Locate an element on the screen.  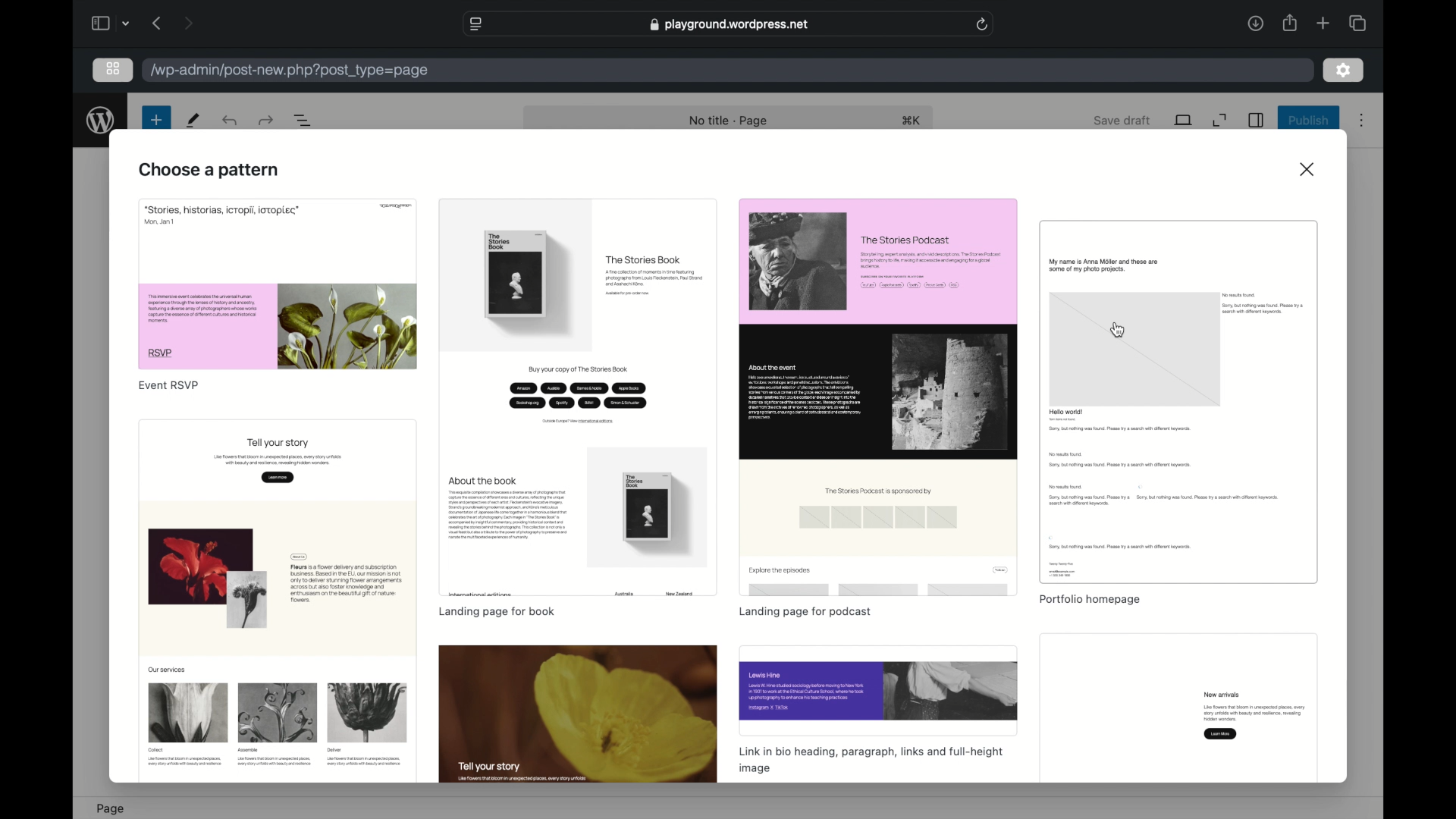
previous page is located at coordinates (158, 23).